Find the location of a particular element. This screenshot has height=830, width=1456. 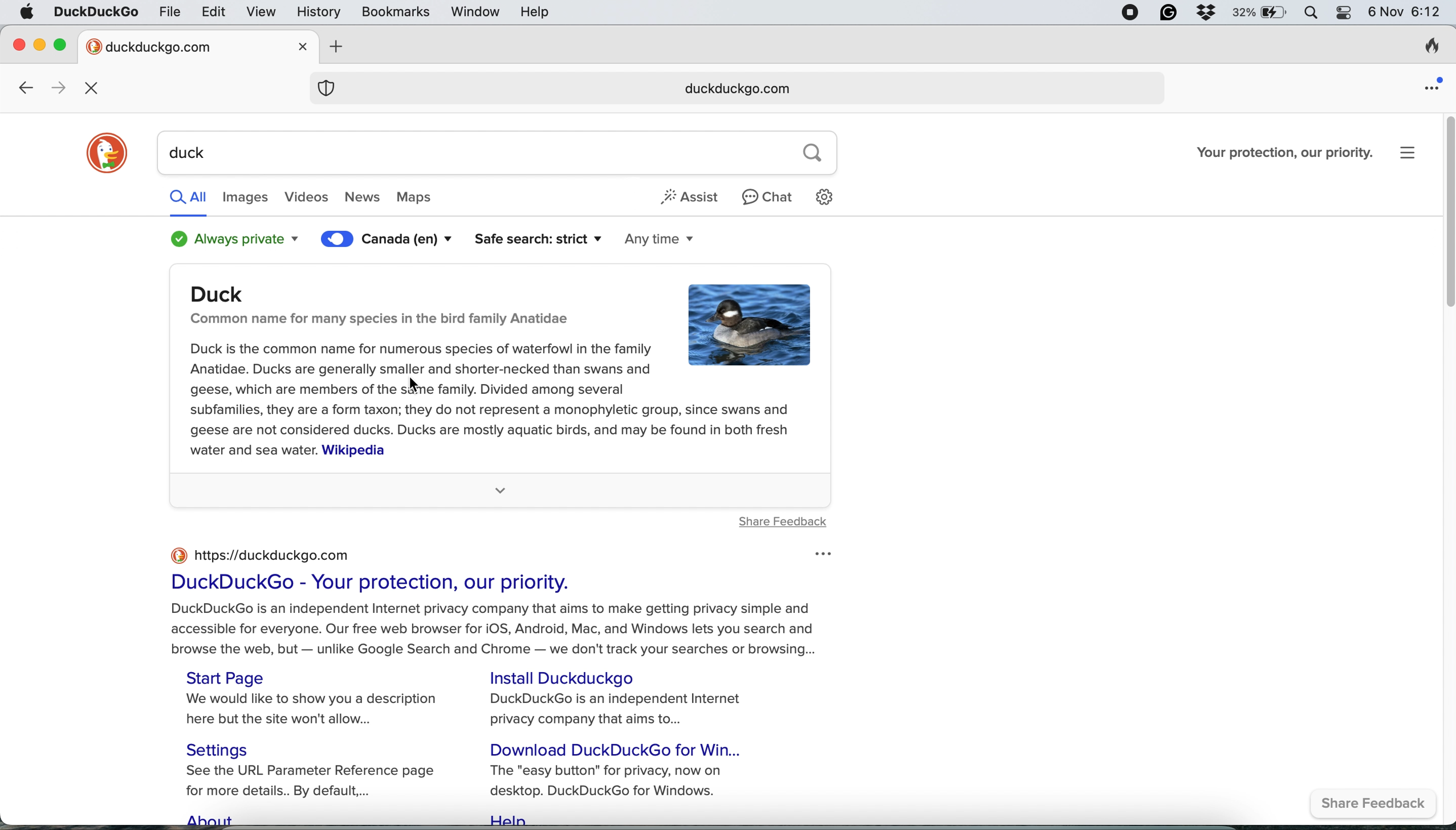

new tab is located at coordinates (186, 46).